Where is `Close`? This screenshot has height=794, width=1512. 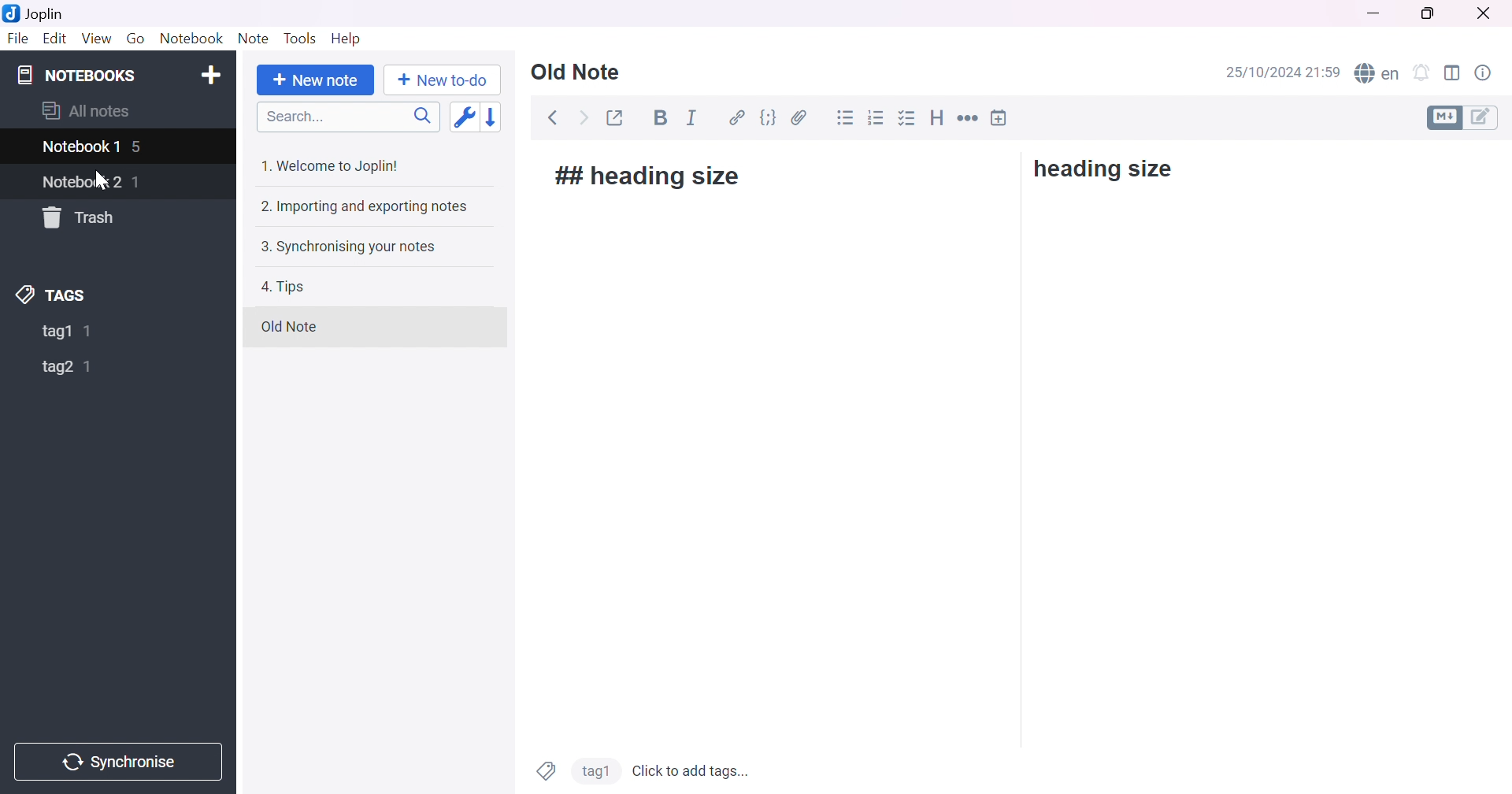
Close is located at coordinates (1481, 12).